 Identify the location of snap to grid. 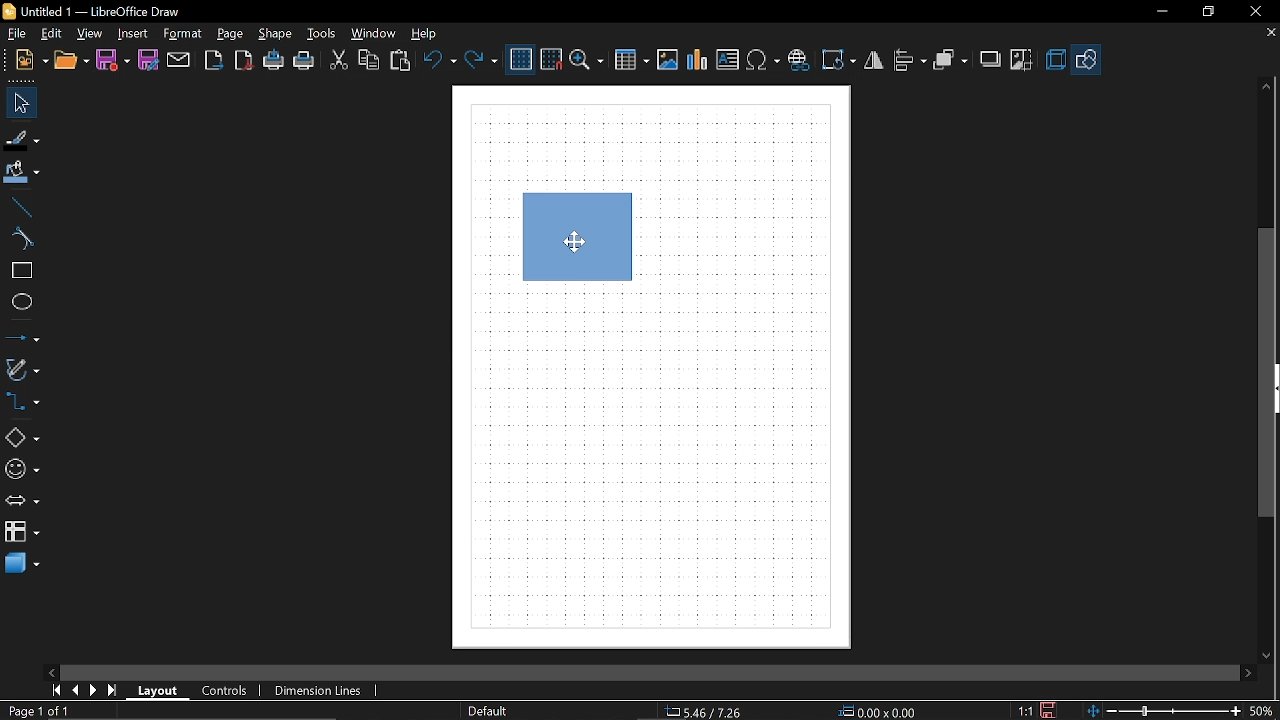
(552, 59).